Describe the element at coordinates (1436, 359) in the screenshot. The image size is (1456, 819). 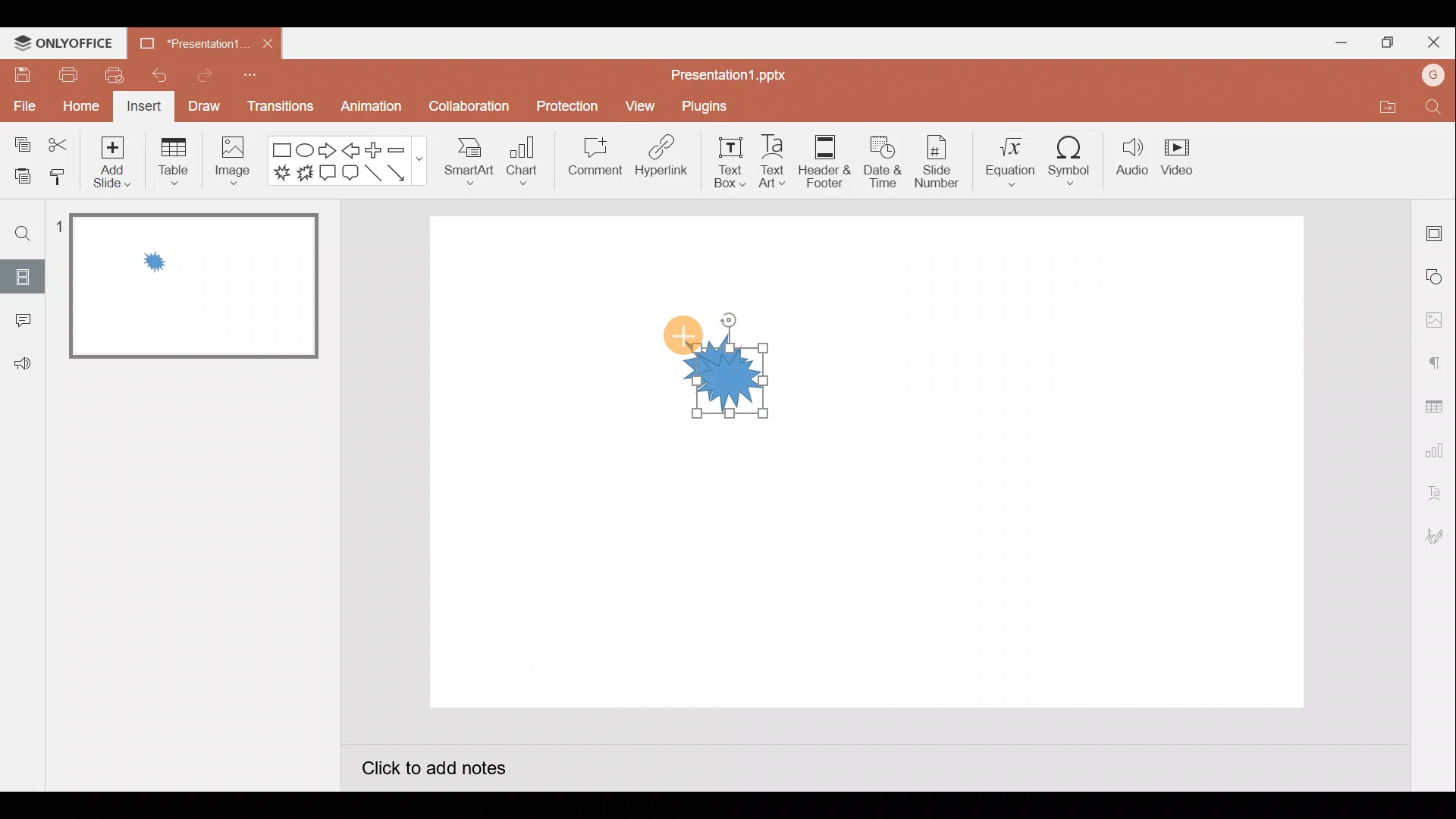
I see `Paragraph settings` at that location.